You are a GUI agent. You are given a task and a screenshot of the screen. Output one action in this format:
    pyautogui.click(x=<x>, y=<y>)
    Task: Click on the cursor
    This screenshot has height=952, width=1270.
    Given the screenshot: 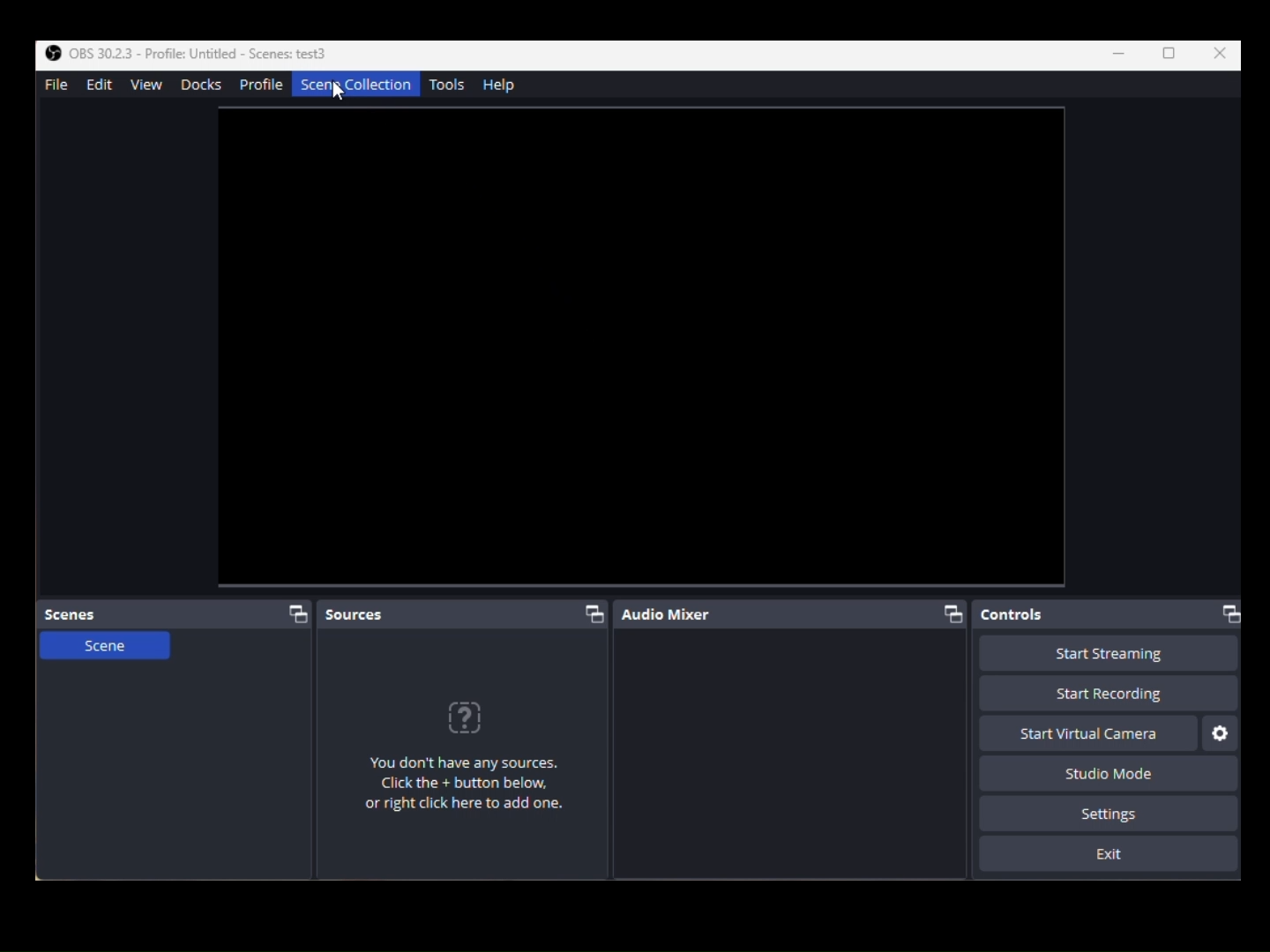 What is the action you would take?
    pyautogui.click(x=340, y=92)
    